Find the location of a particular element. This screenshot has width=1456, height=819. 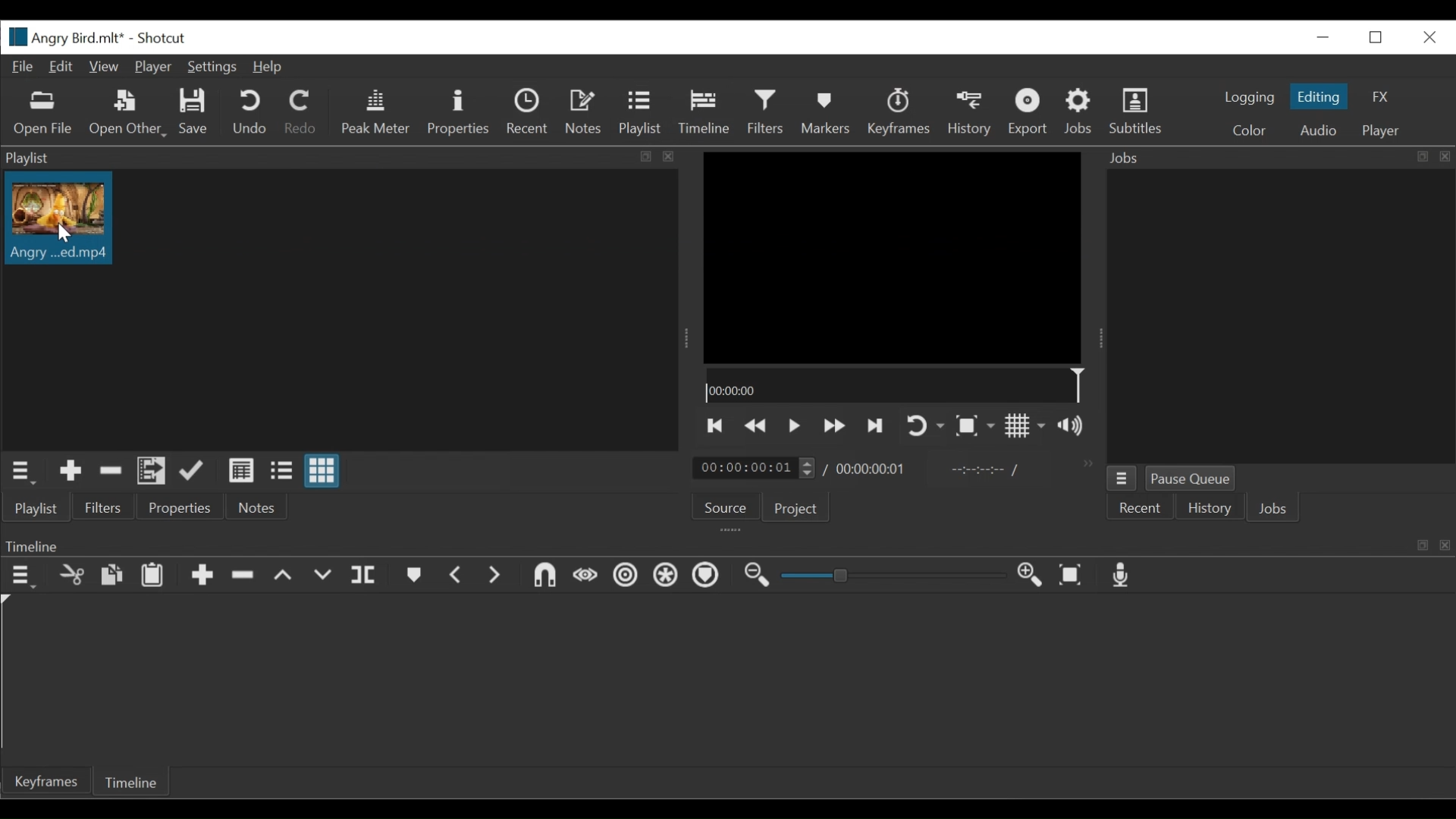

Lift is located at coordinates (283, 576).